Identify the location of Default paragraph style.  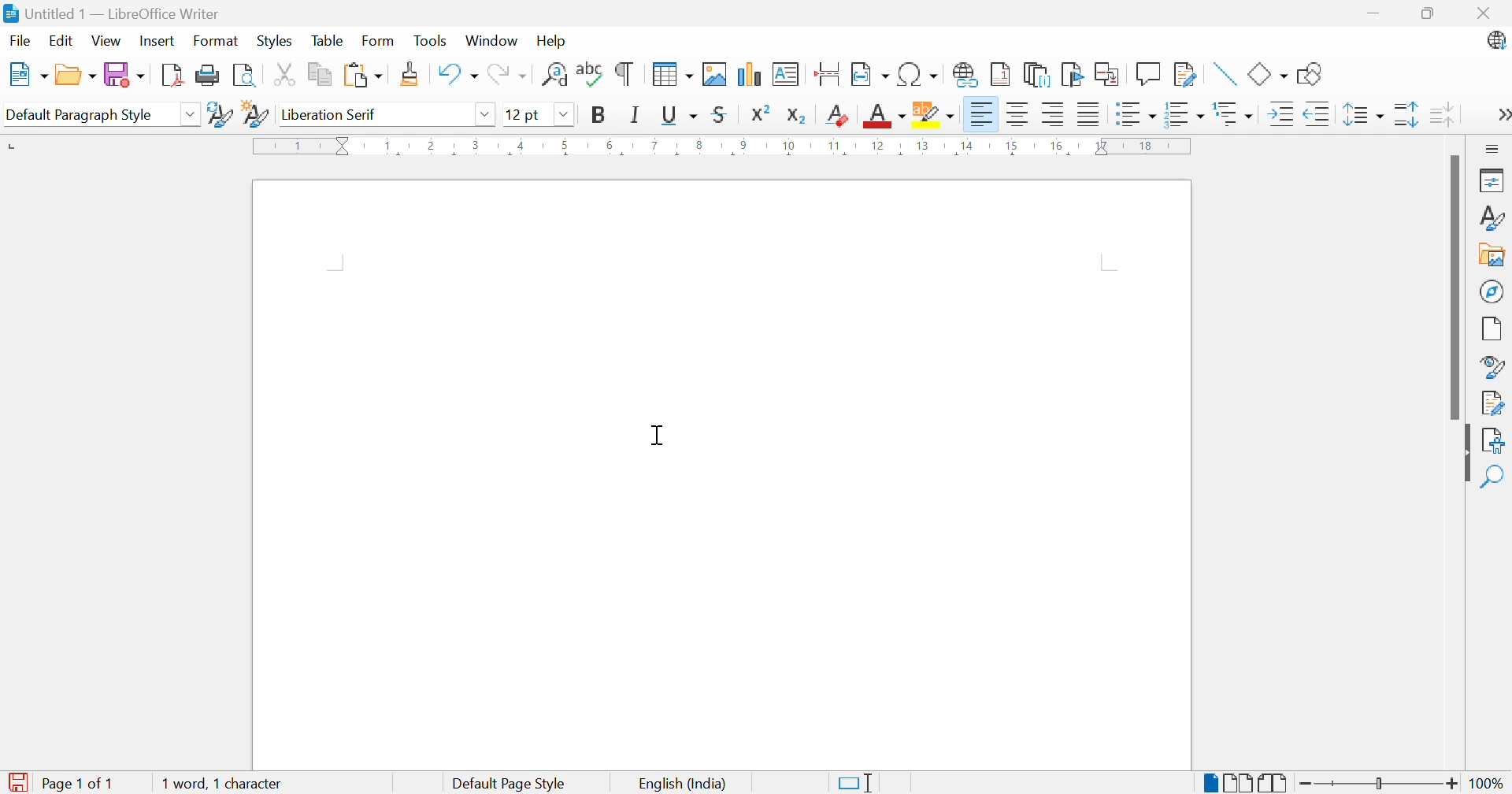
(80, 113).